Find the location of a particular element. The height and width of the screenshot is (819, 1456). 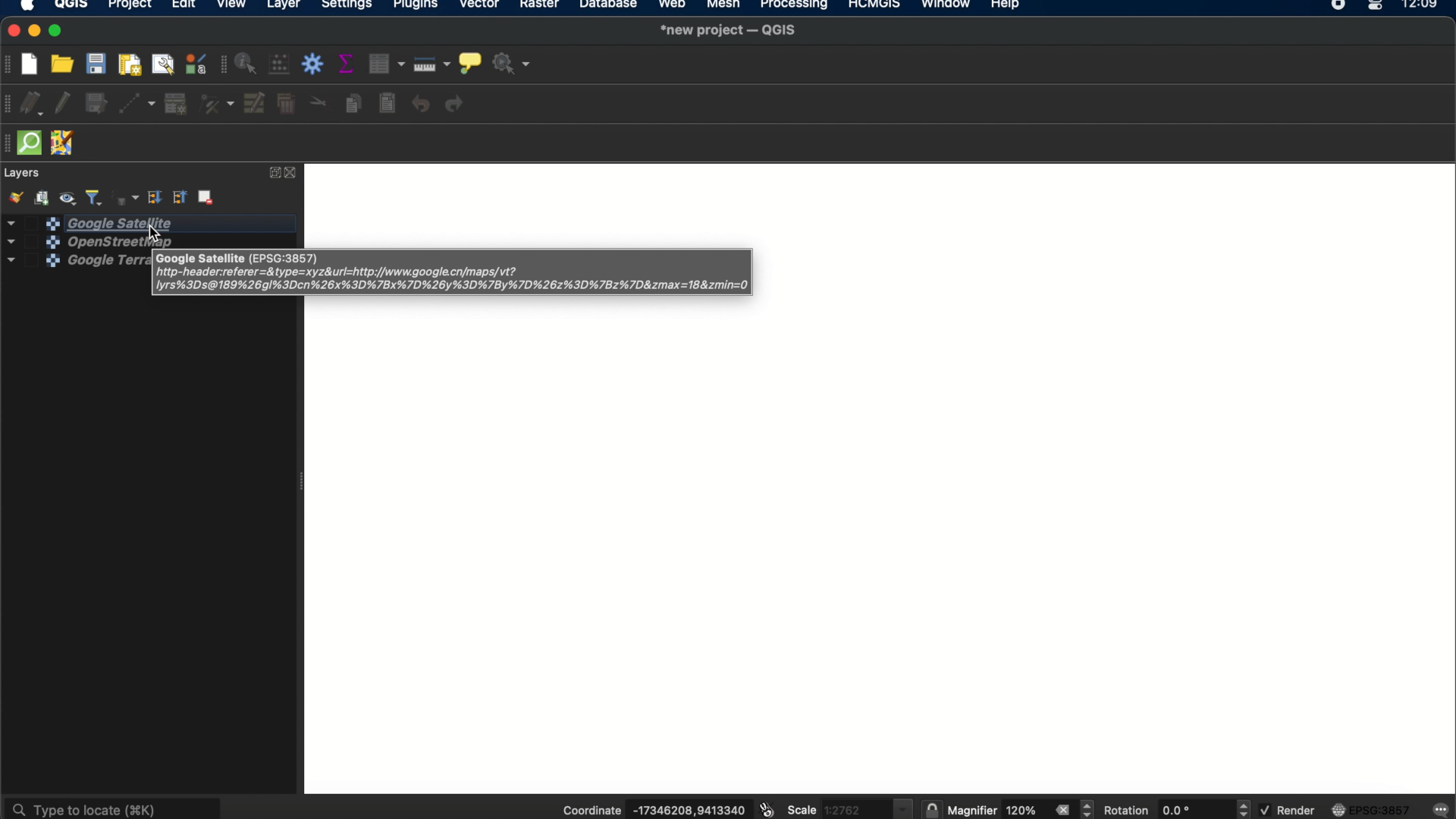

cursor is located at coordinates (150, 235).